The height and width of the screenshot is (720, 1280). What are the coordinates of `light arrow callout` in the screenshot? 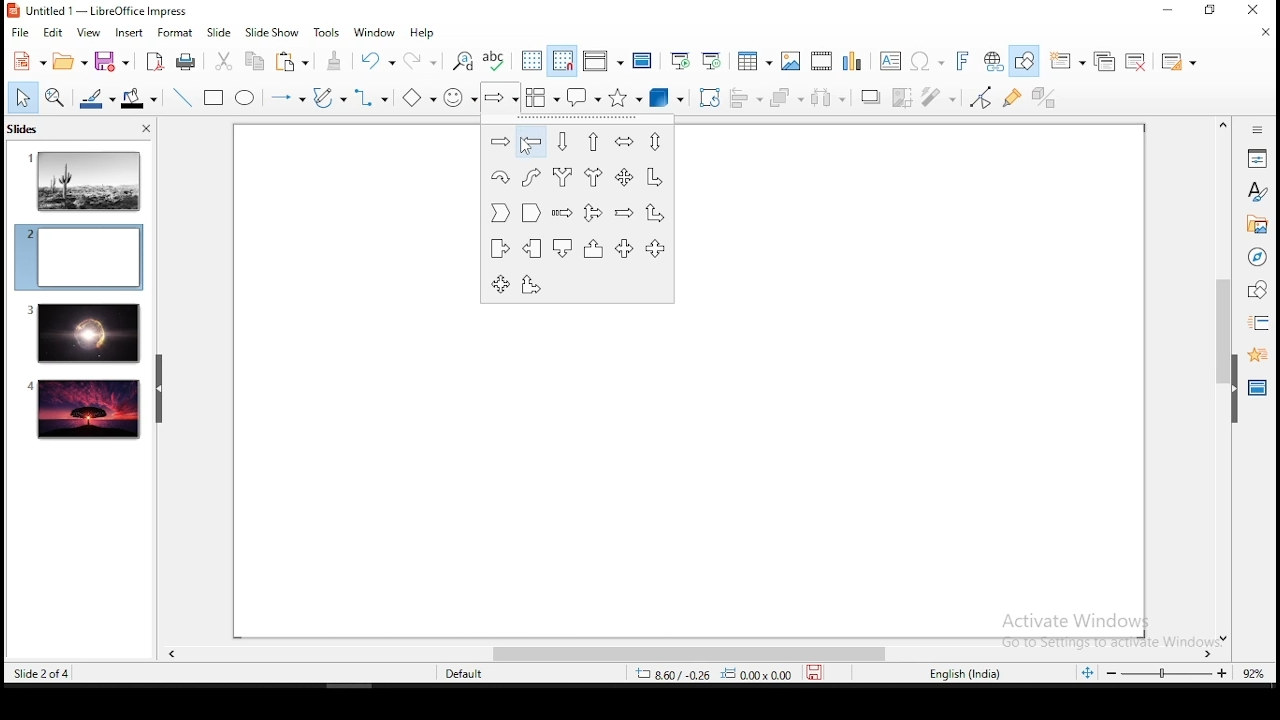 It's located at (533, 248).